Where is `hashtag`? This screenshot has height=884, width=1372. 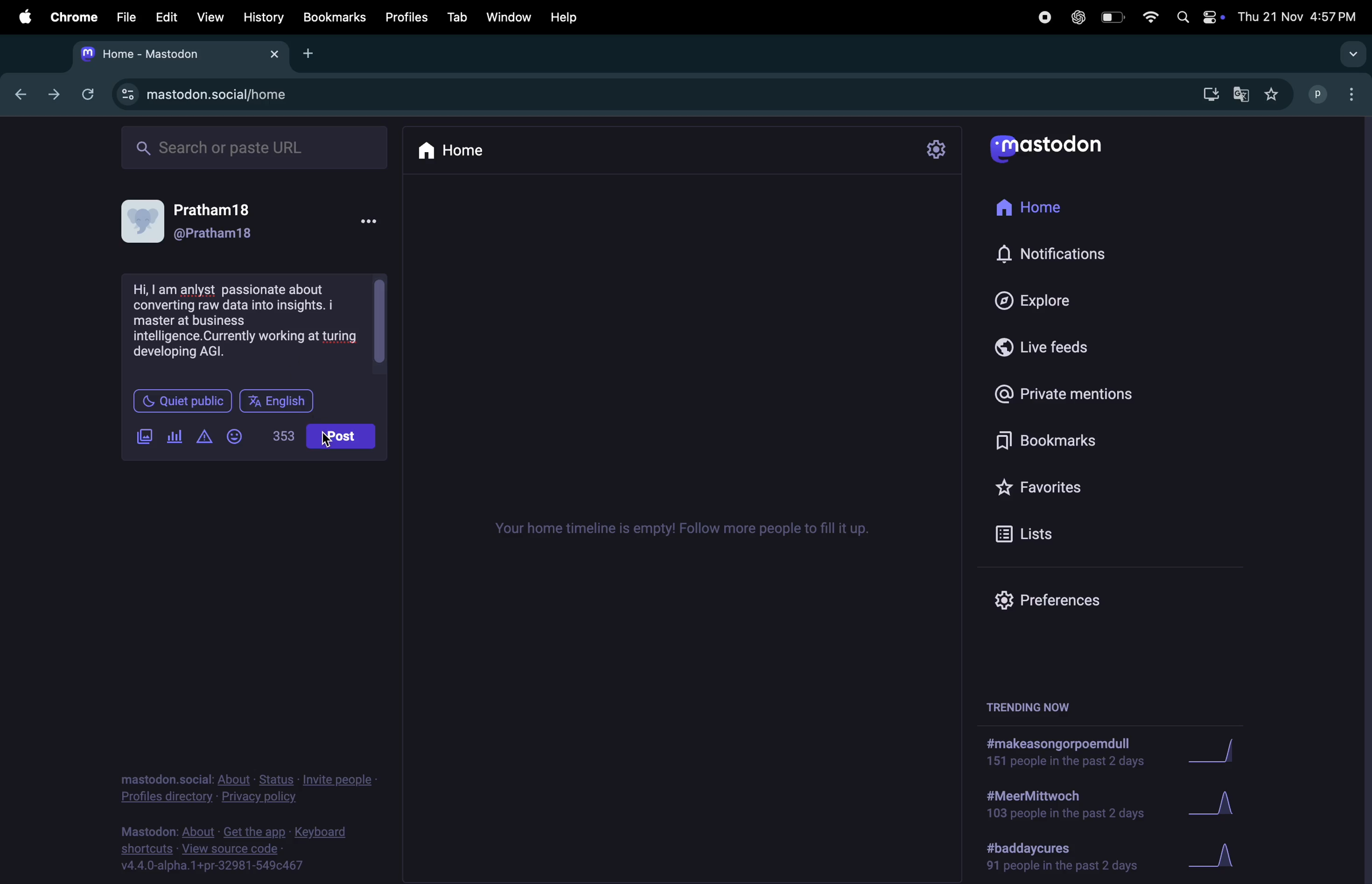
hashtag is located at coordinates (1057, 807).